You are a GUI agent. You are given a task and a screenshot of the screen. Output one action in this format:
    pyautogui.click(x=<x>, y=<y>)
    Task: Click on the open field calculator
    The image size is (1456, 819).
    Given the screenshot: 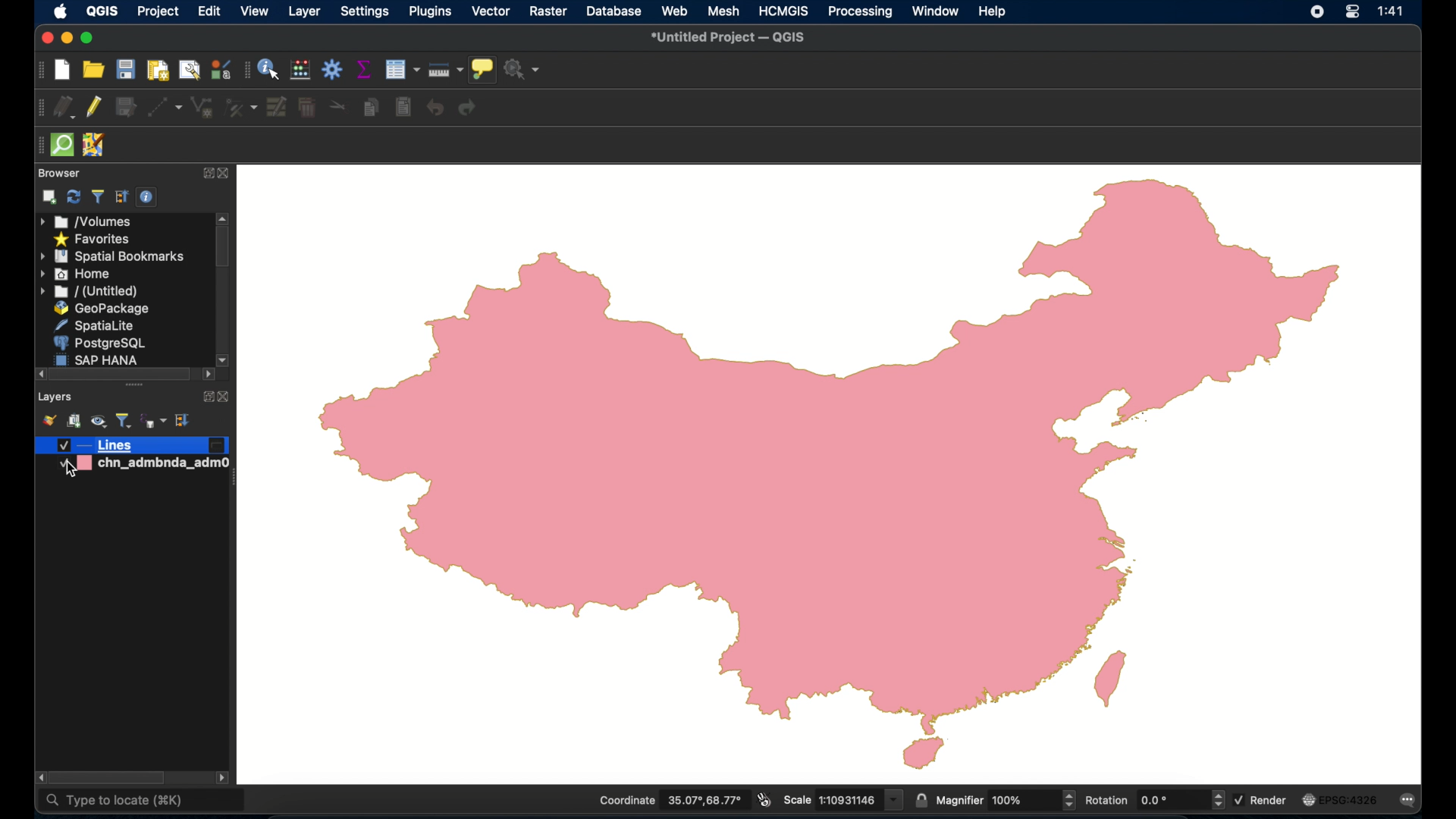 What is the action you would take?
    pyautogui.click(x=300, y=69)
    